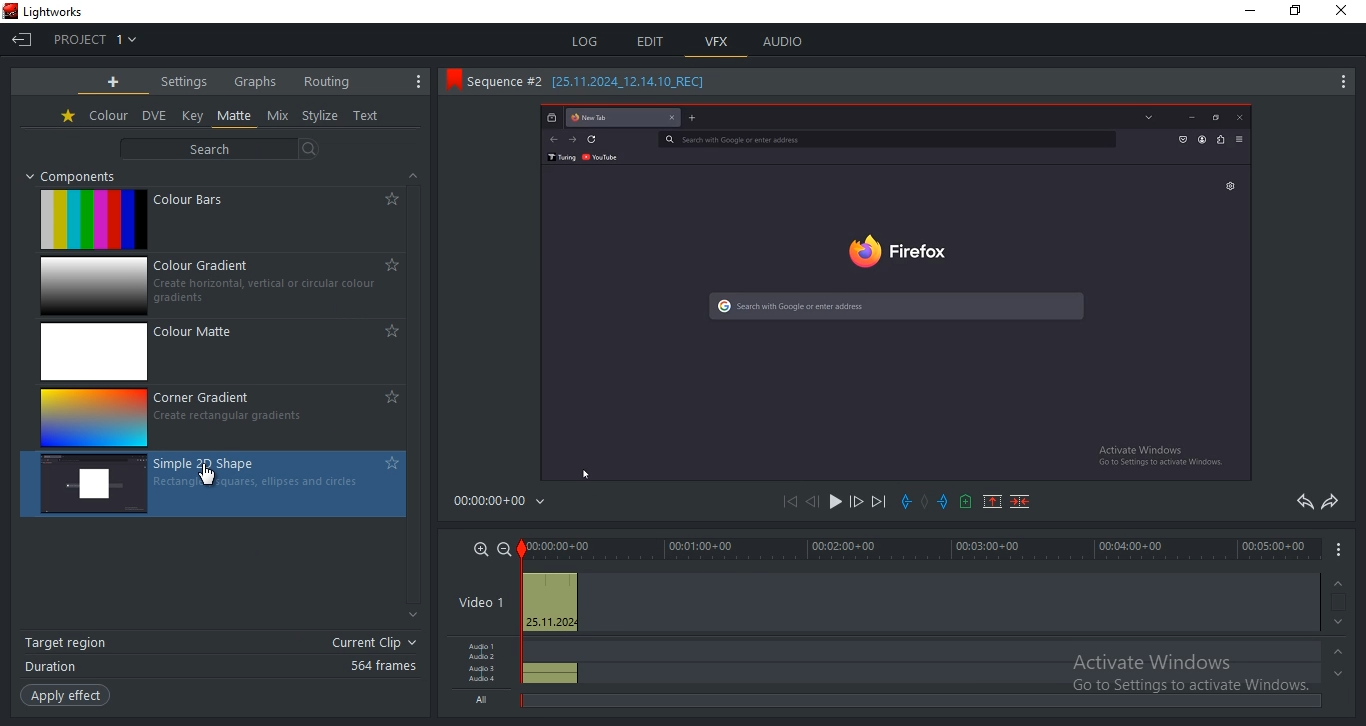 This screenshot has width=1366, height=726. I want to click on video, so click(548, 603).